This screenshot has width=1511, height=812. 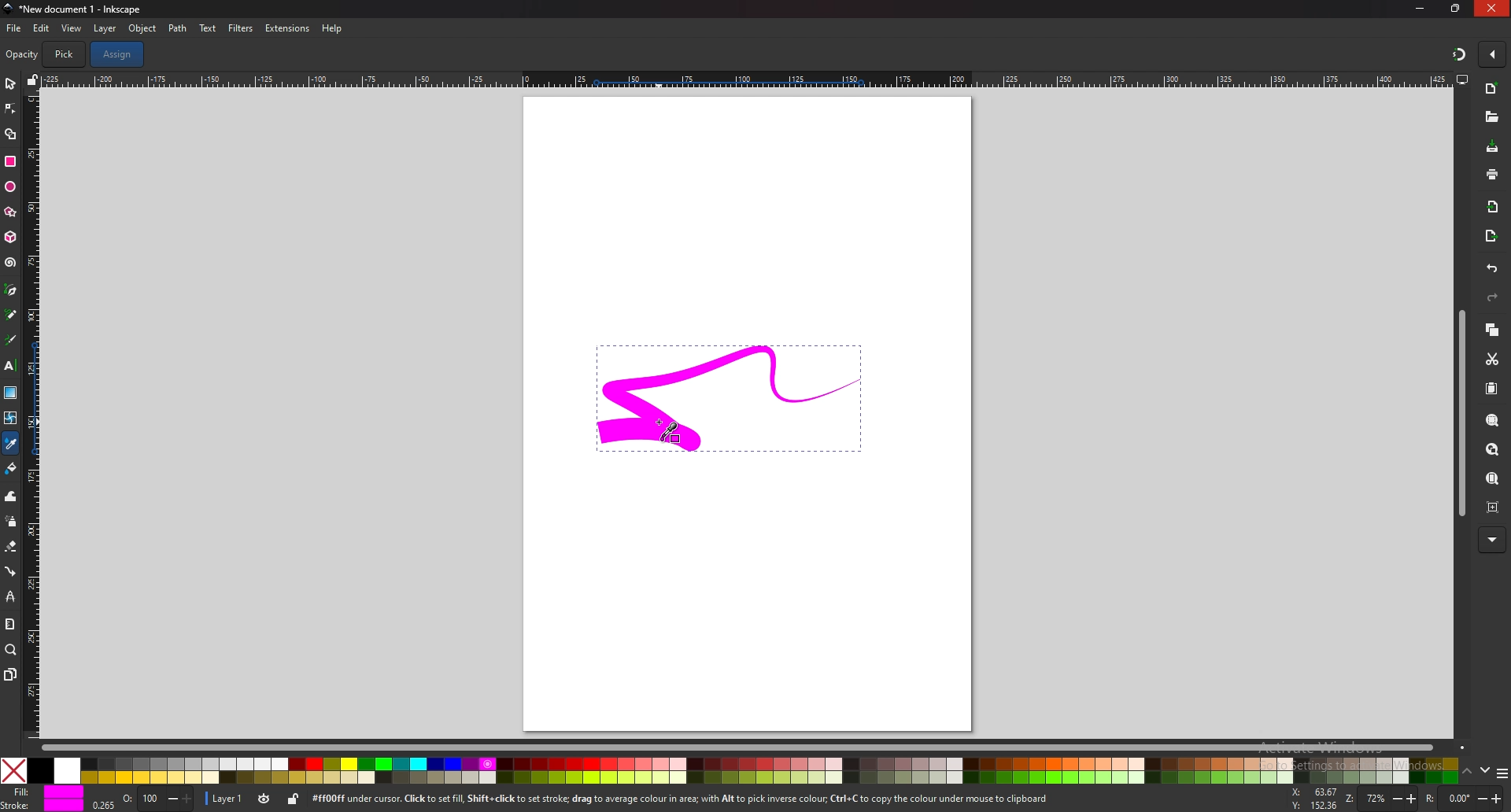 What do you see at coordinates (120, 54) in the screenshot?
I see `assign` at bounding box center [120, 54].